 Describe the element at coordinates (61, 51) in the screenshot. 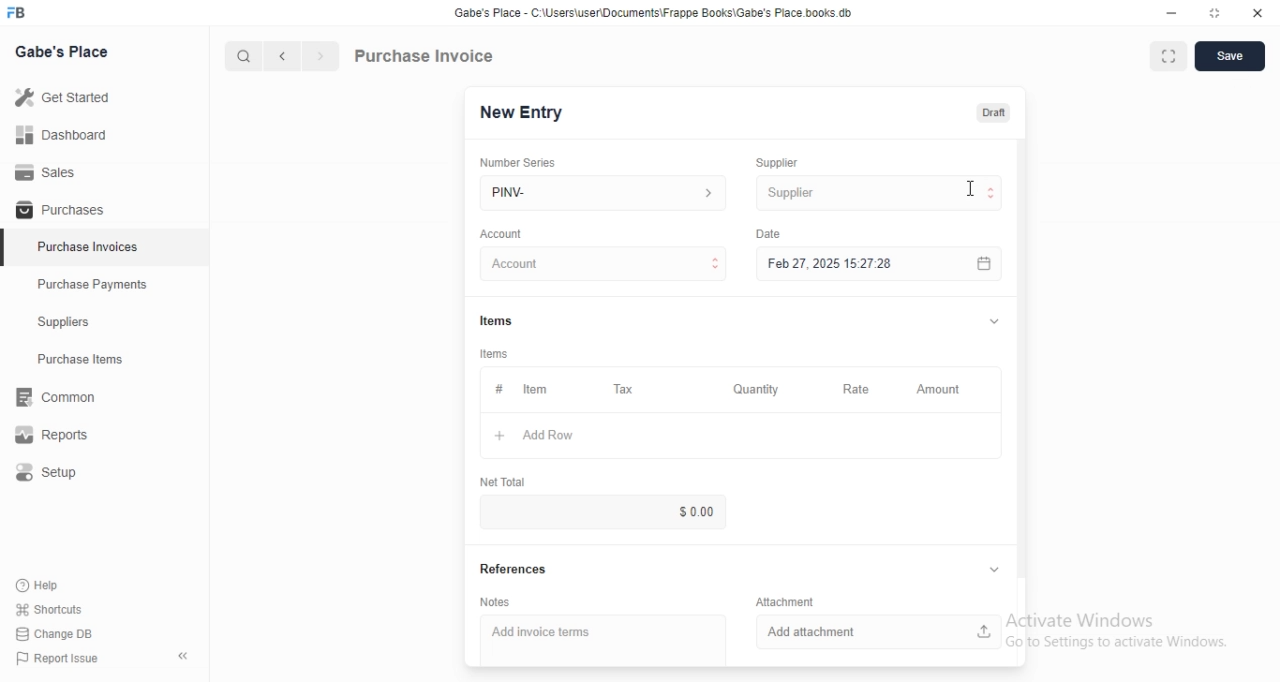

I see `Gabe's Place` at that location.